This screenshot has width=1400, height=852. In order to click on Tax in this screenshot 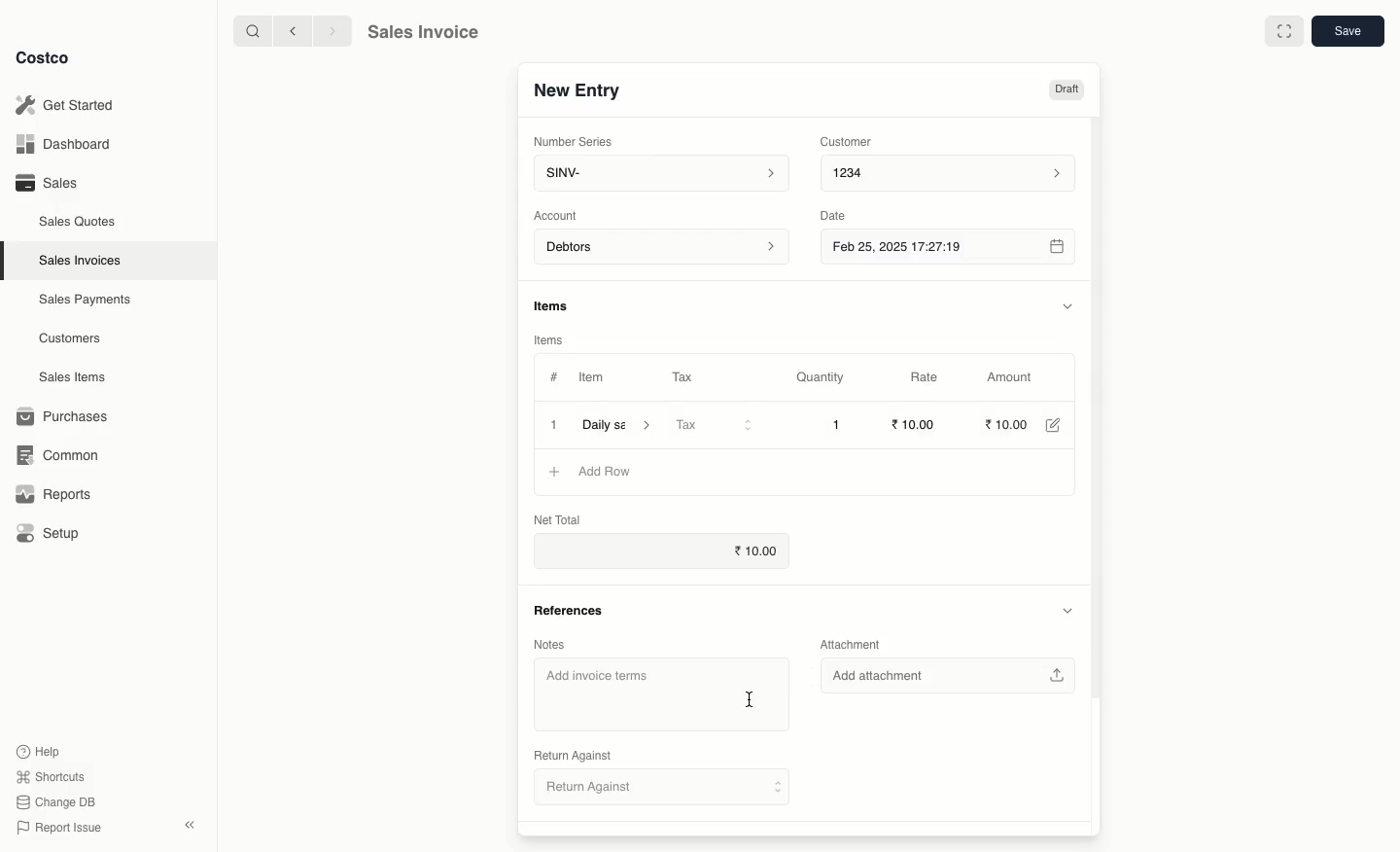, I will do `click(715, 425)`.